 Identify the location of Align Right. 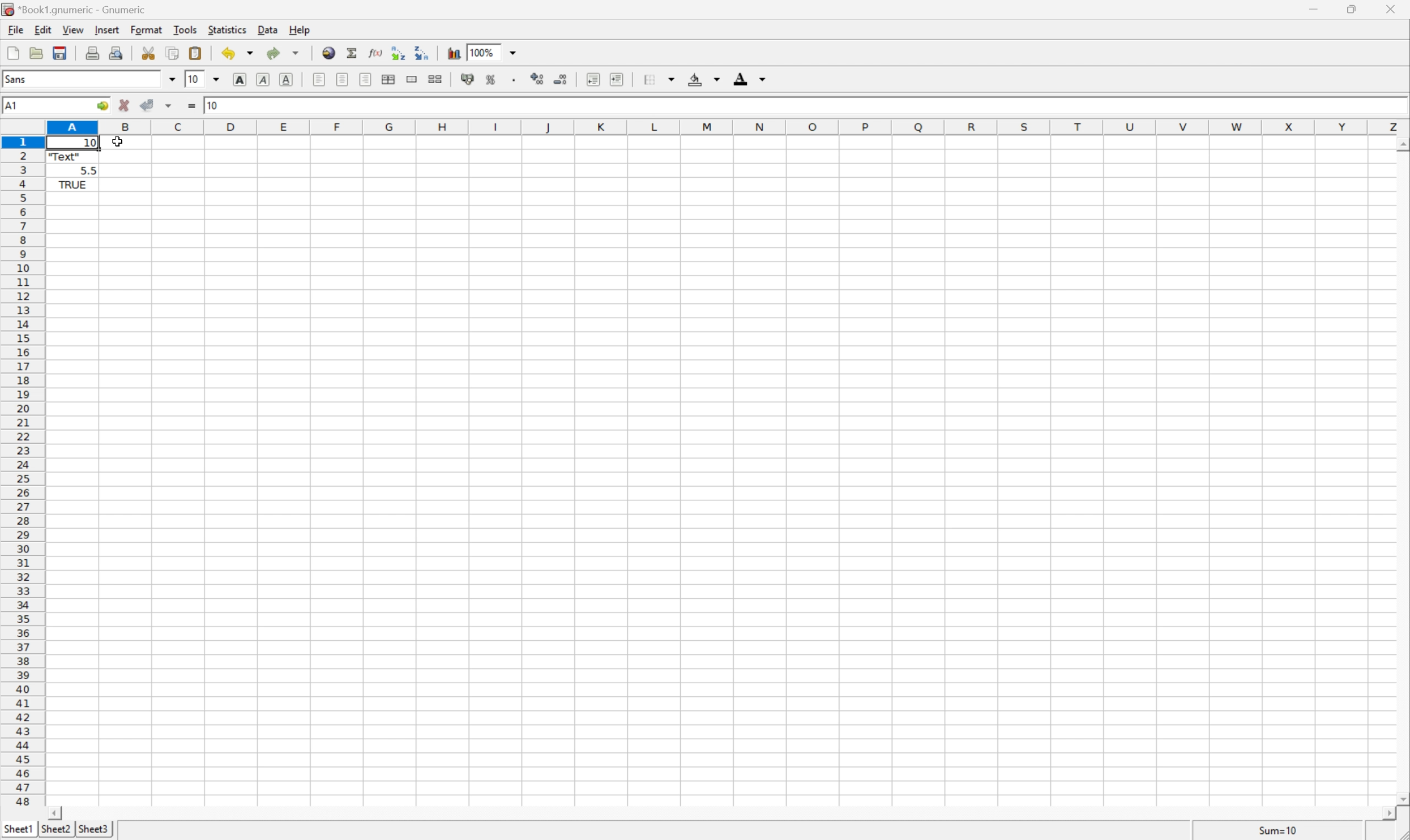
(364, 80).